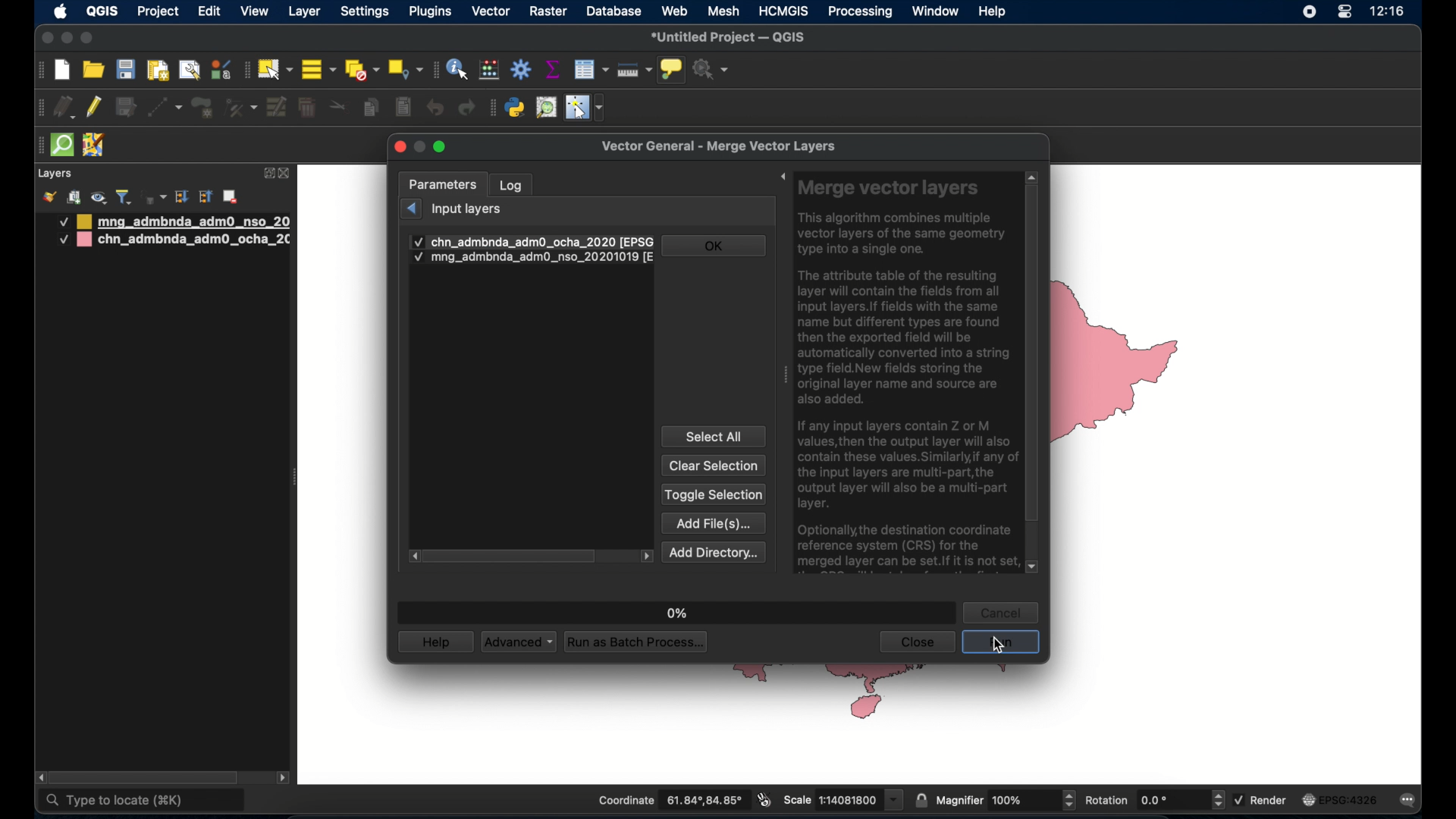 This screenshot has height=819, width=1456. I want to click on web, so click(676, 11).